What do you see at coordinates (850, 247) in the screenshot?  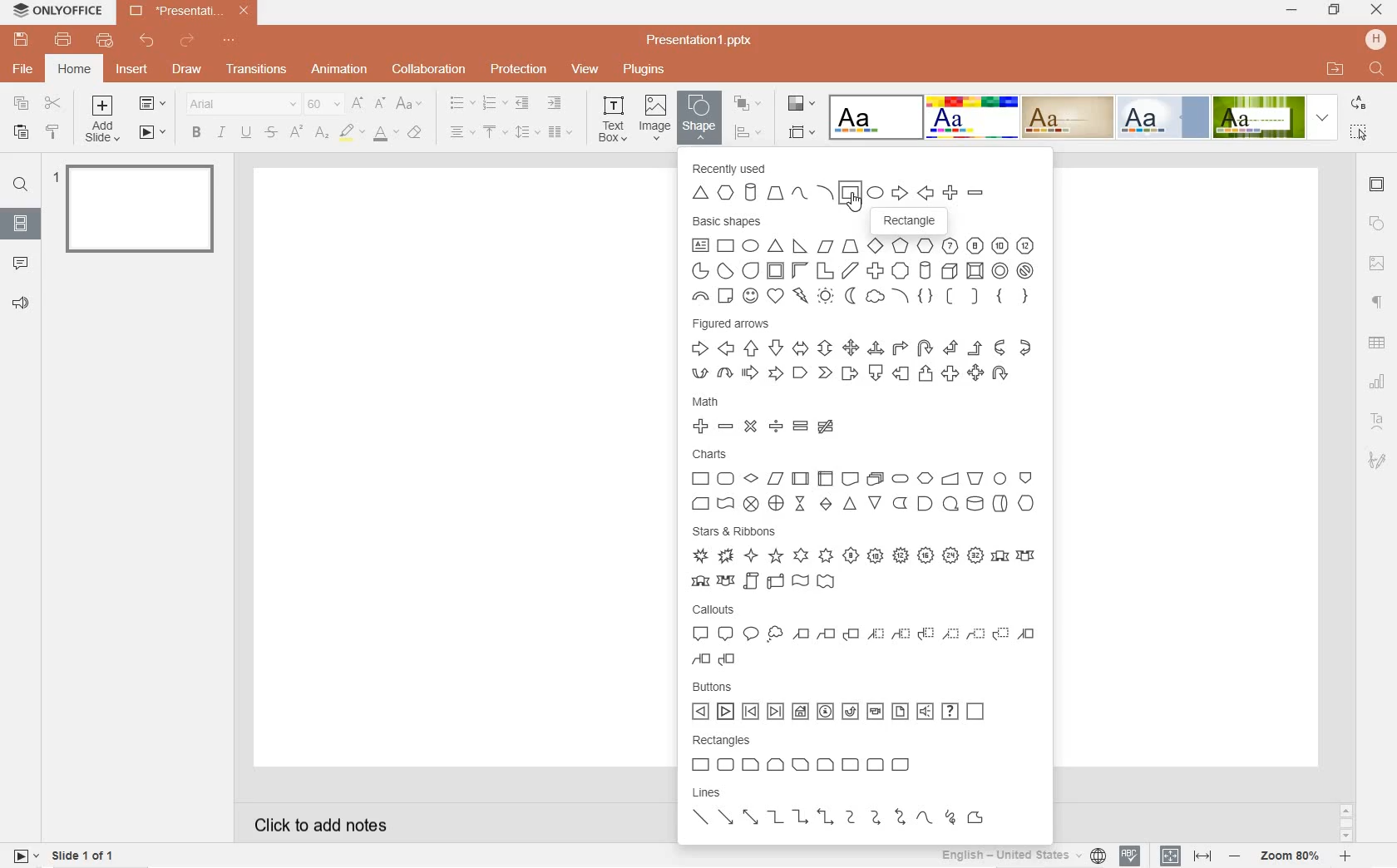 I see `Trapezium` at bounding box center [850, 247].